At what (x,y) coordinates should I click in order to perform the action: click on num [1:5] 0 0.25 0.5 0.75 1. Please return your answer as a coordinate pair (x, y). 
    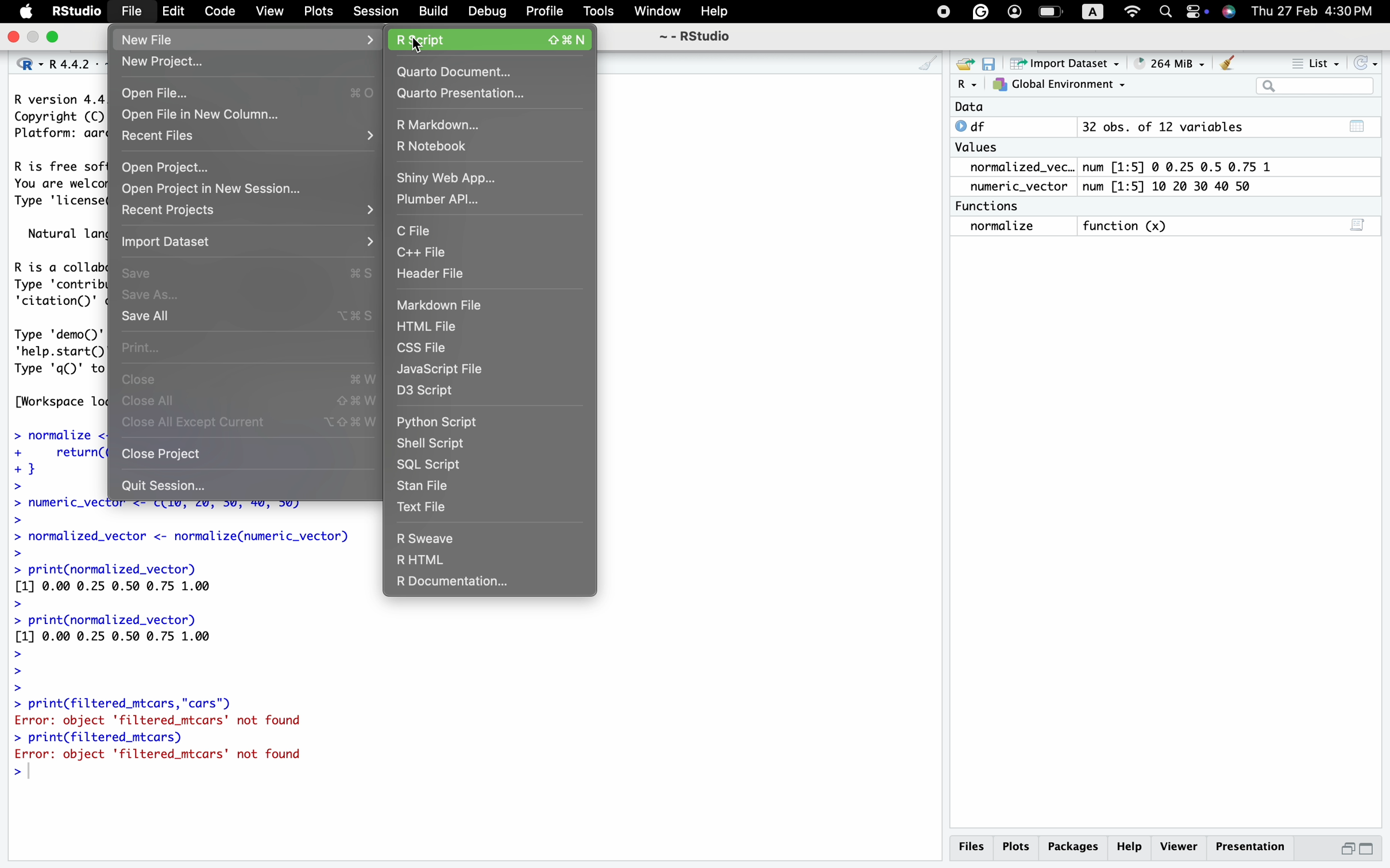
    Looking at the image, I should click on (1175, 165).